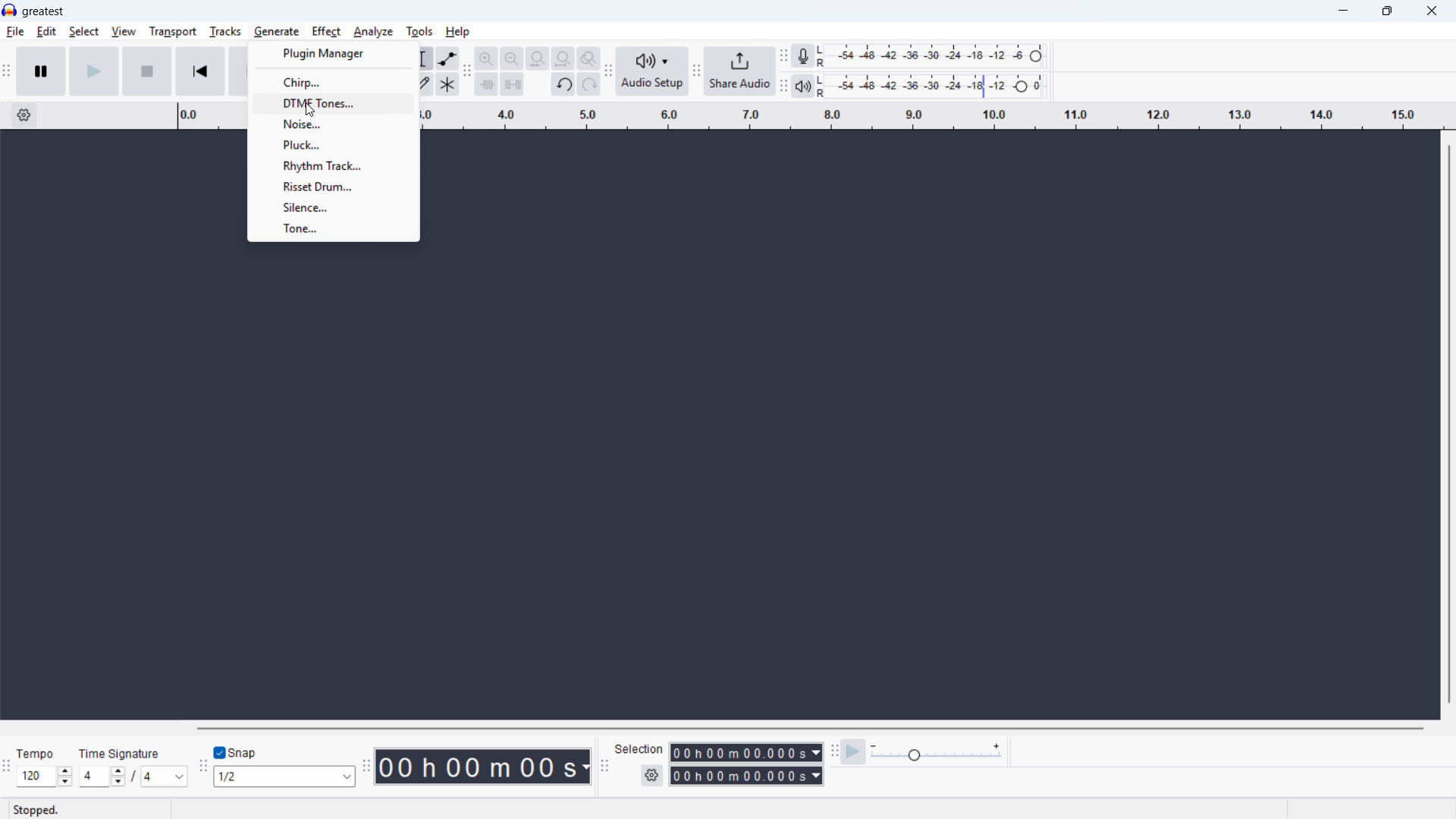 The width and height of the screenshot is (1456, 819). What do you see at coordinates (458, 32) in the screenshot?
I see `help` at bounding box center [458, 32].